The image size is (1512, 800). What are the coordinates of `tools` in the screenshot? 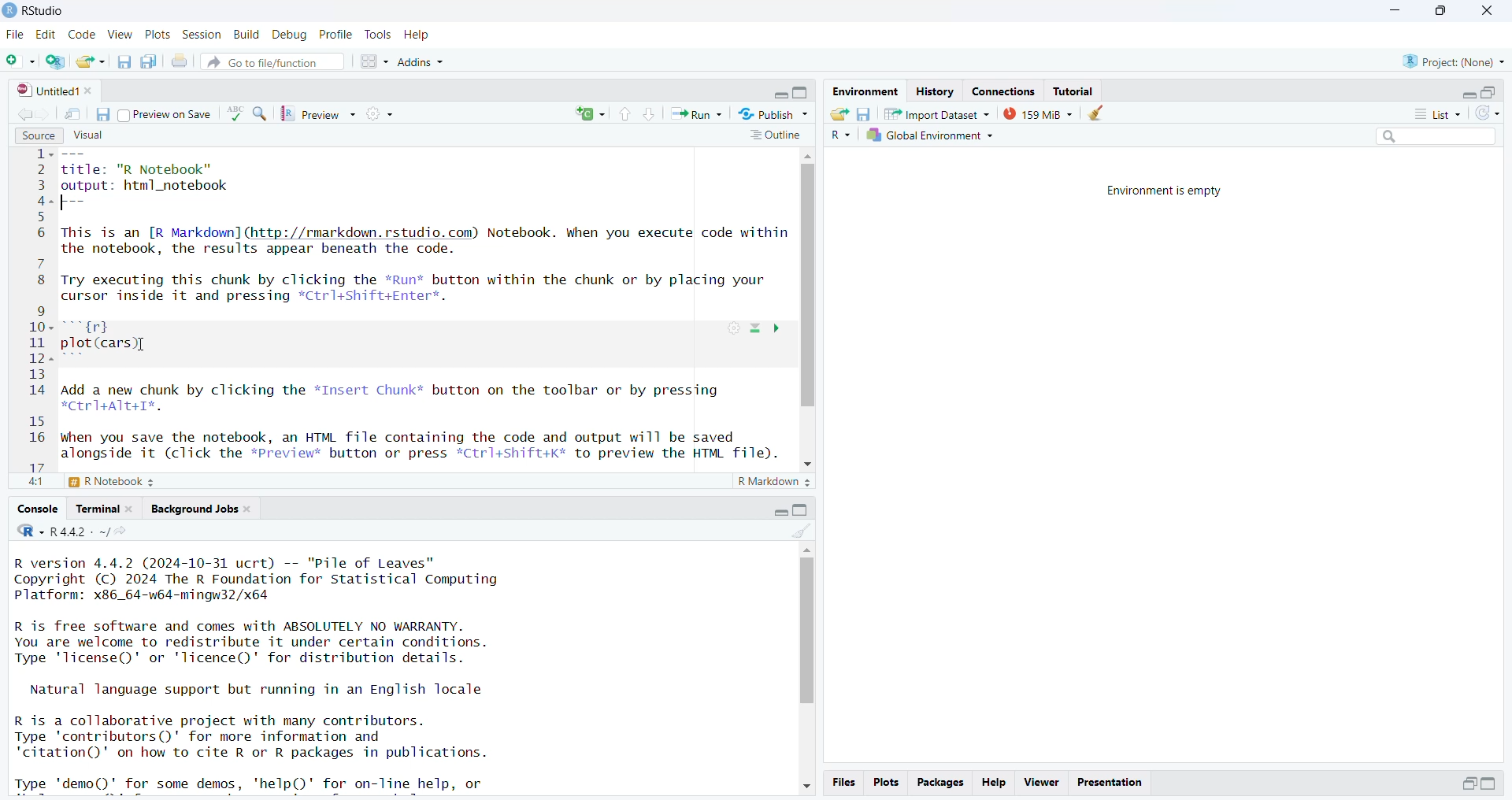 It's located at (379, 35).